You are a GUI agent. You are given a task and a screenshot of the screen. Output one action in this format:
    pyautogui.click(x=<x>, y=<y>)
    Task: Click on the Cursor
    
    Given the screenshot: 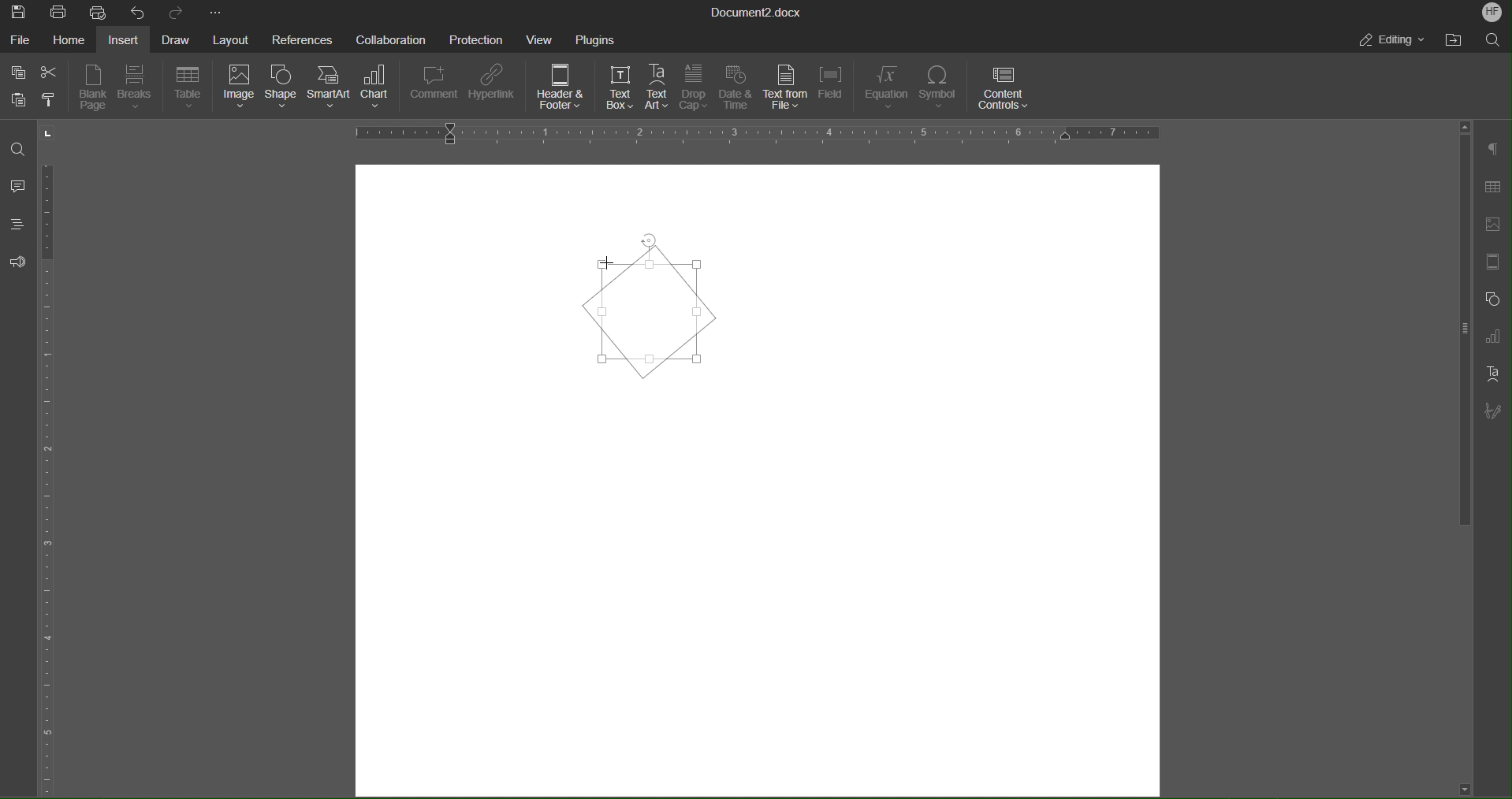 What is the action you would take?
    pyautogui.click(x=602, y=261)
    